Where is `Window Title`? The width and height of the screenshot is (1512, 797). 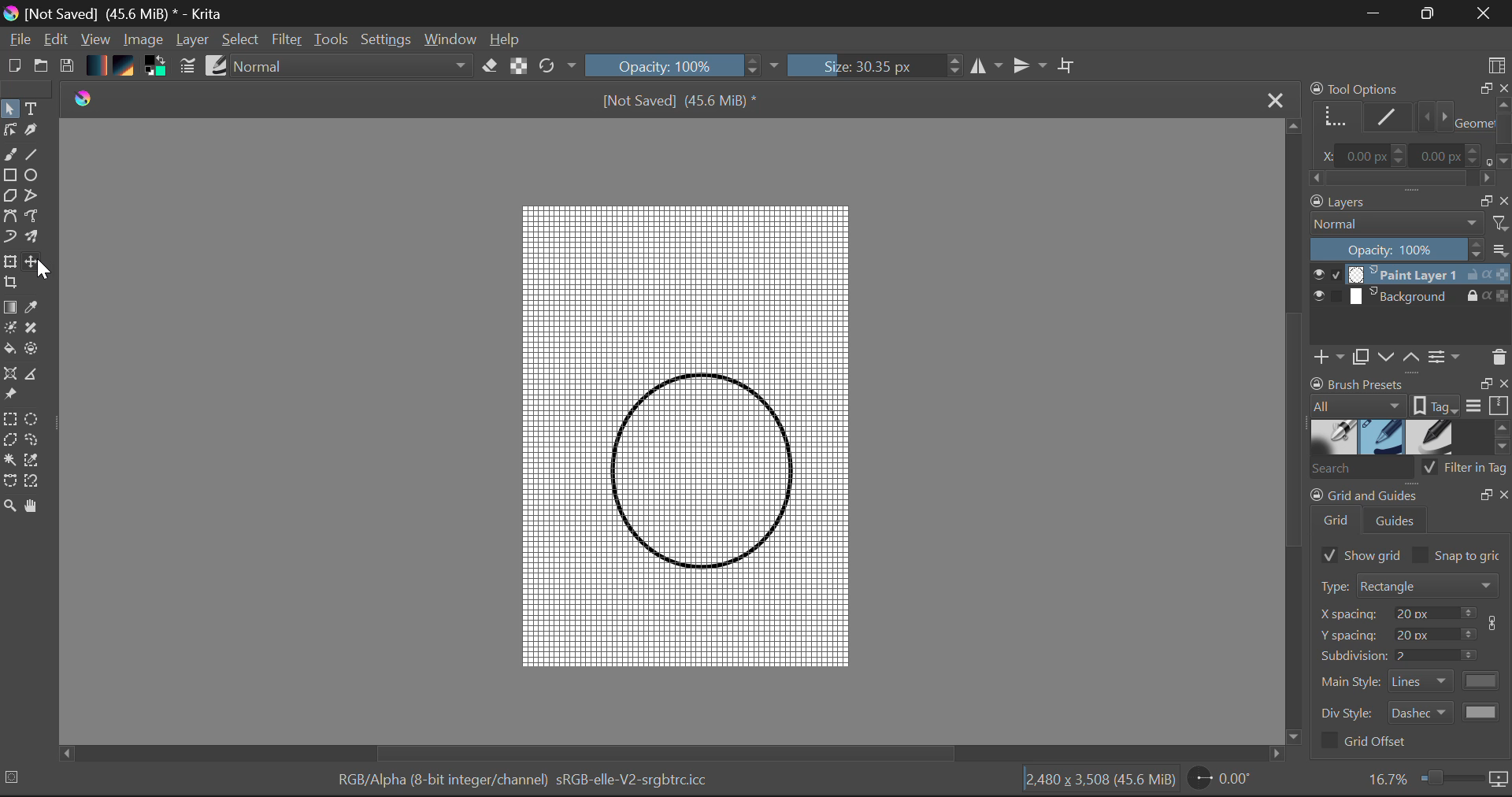
Window Title is located at coordinates (117, 13).